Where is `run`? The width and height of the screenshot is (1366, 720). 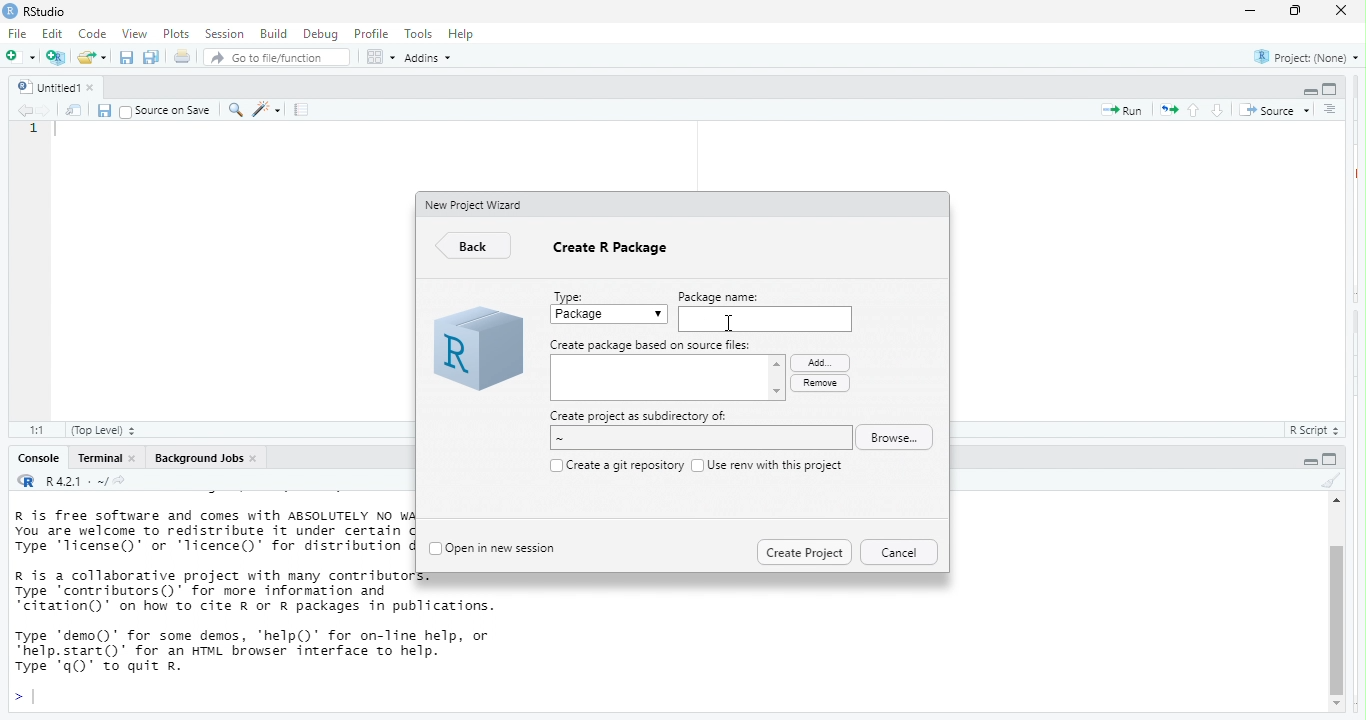 run is located at coordinates (1118, 112).